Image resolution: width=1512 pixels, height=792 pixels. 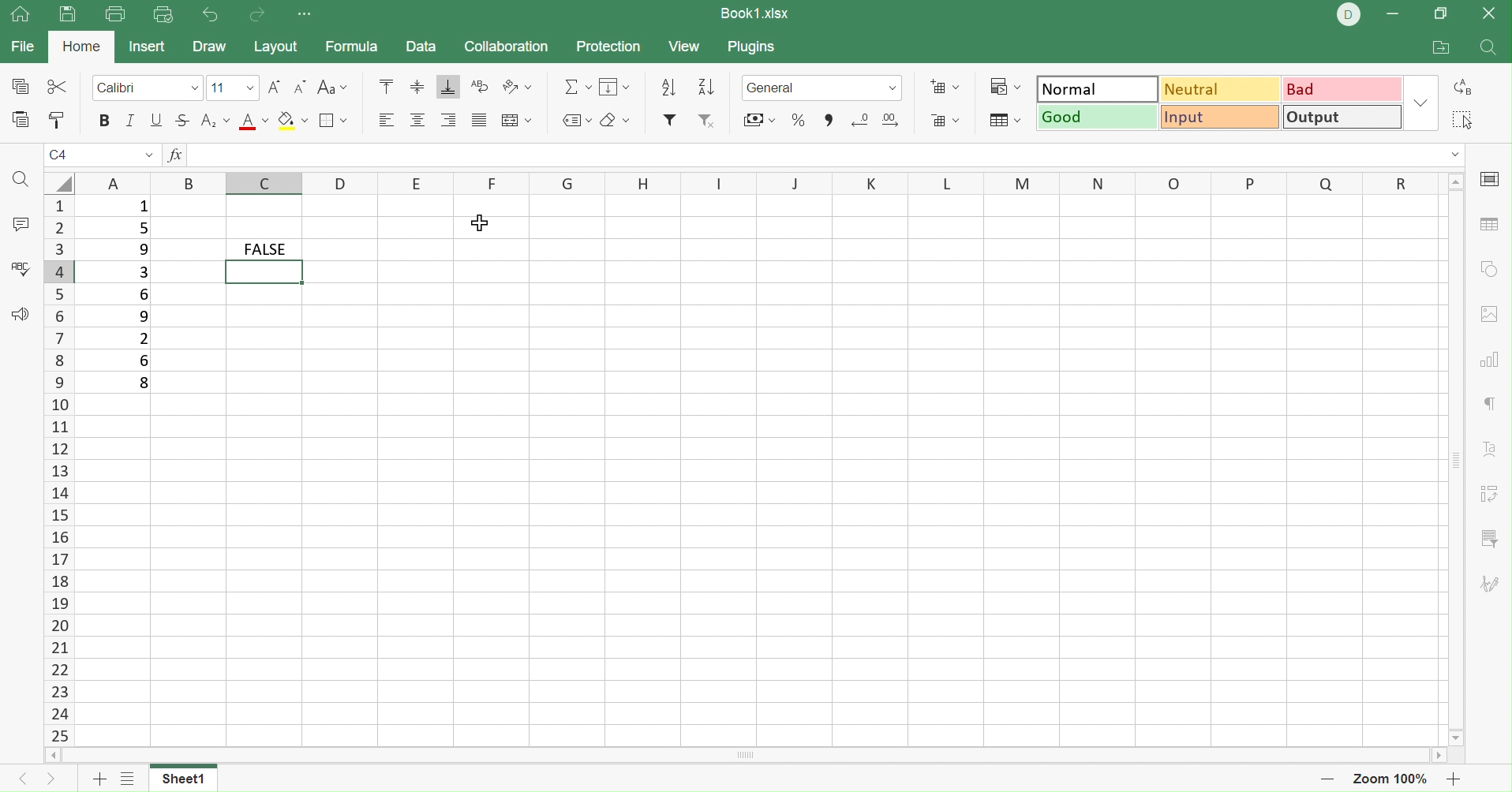 I want to click on Find, so click(x=1489, y=49).